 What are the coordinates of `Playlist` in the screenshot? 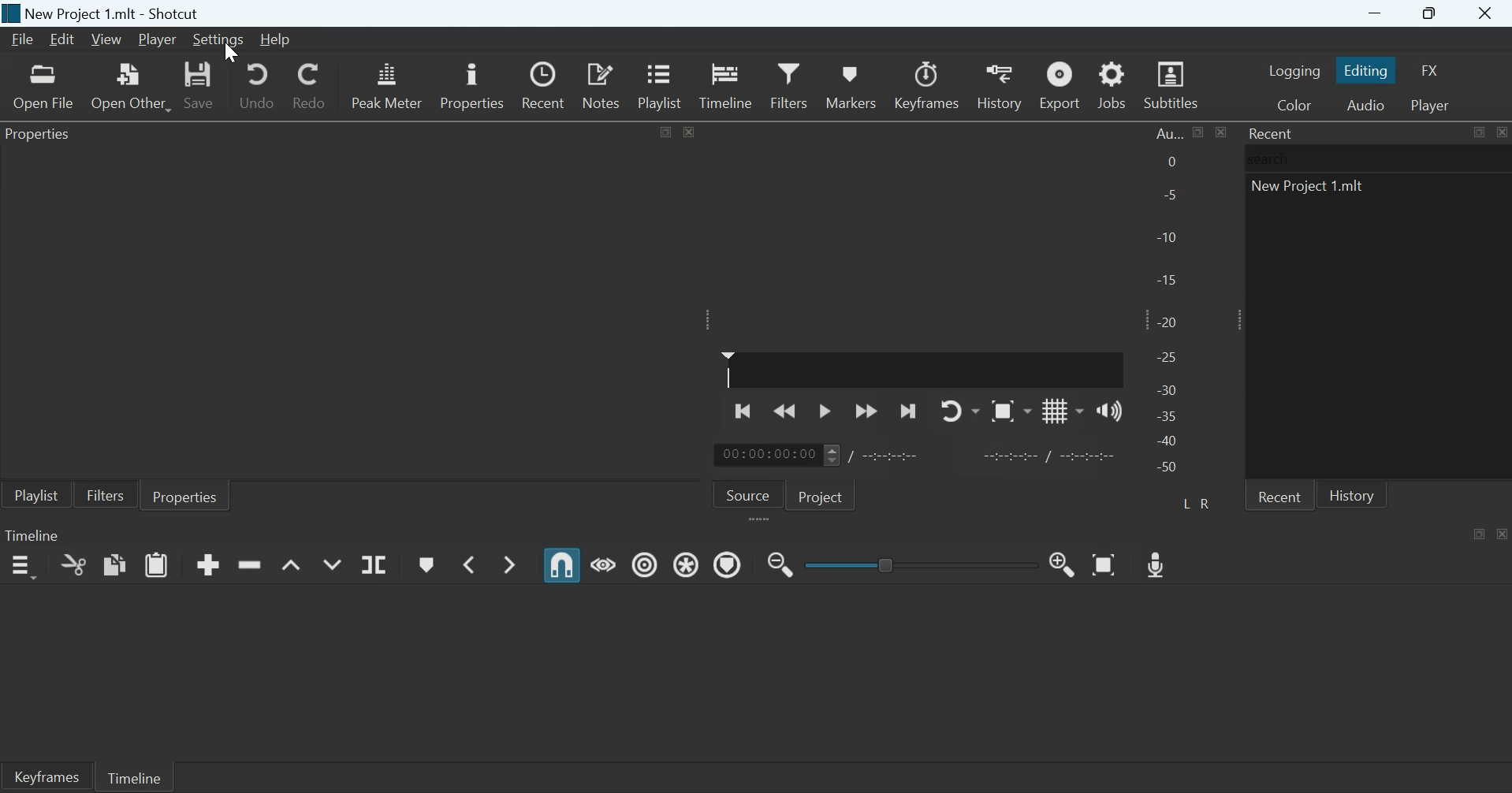 It's located at (36, 494).